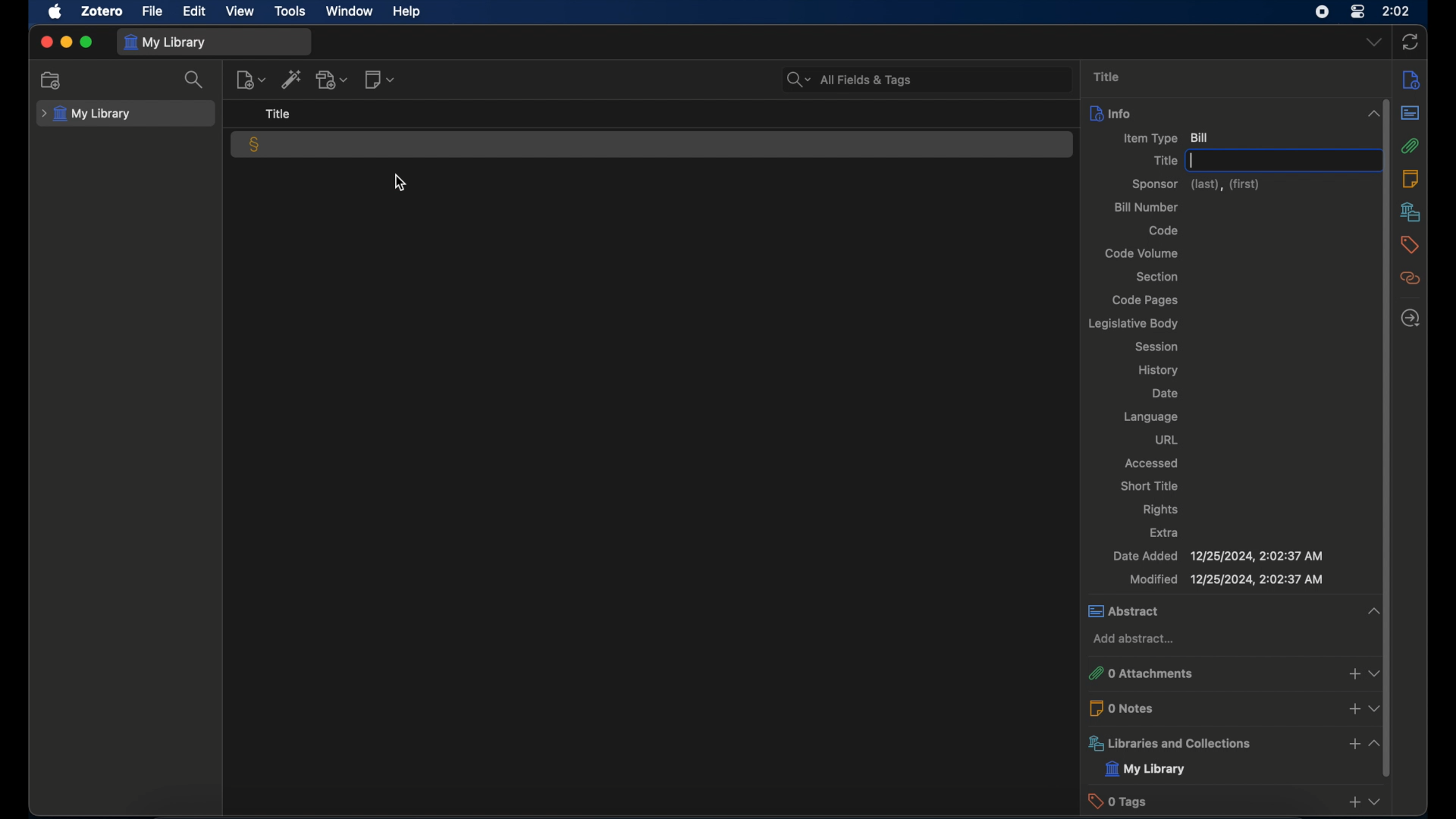 The image size is (1456, 819). Describe the element at coordinates (1237, 114) in the screenshot. I see `info` at that location.